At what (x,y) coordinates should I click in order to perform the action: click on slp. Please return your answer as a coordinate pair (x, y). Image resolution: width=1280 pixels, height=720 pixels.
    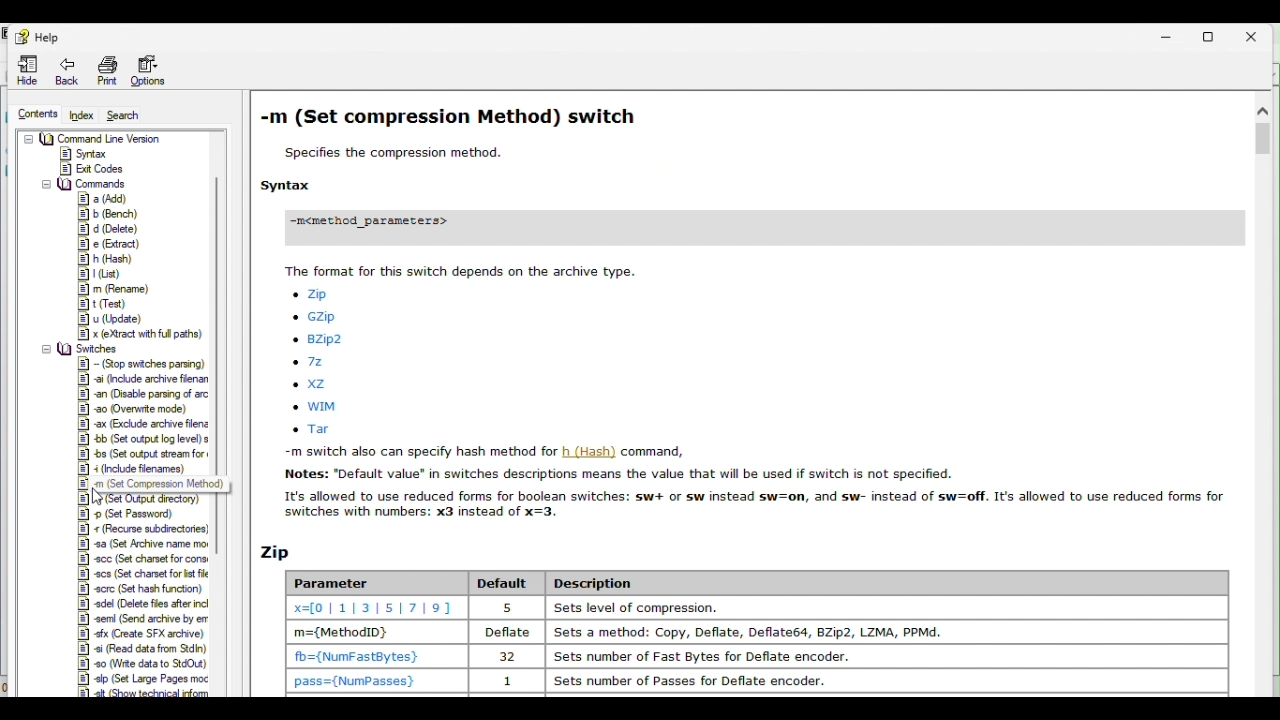
    Looking at the image, I should click on (141, 679).